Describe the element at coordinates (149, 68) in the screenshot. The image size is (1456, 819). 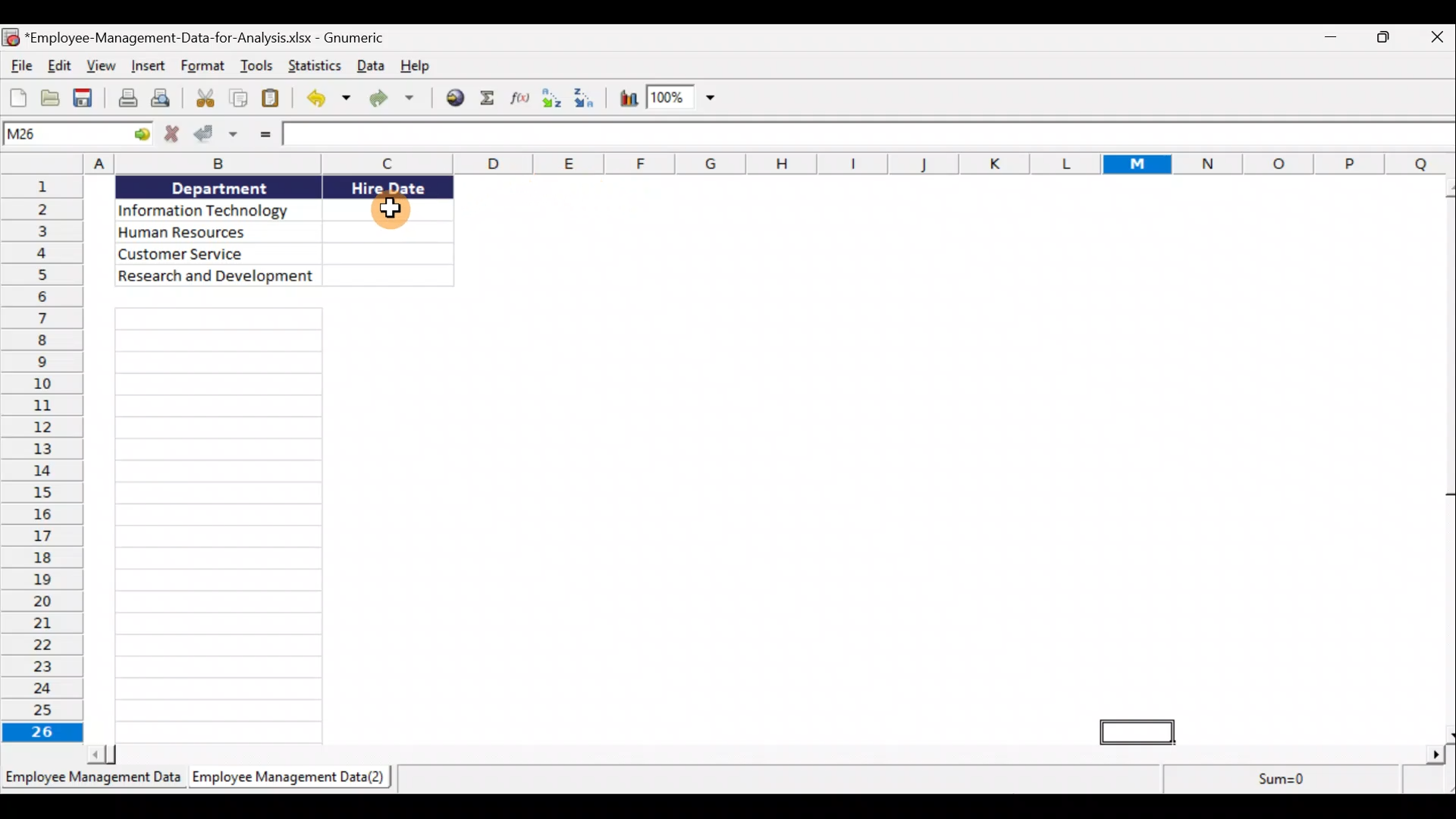
I see `Insert` at that location.